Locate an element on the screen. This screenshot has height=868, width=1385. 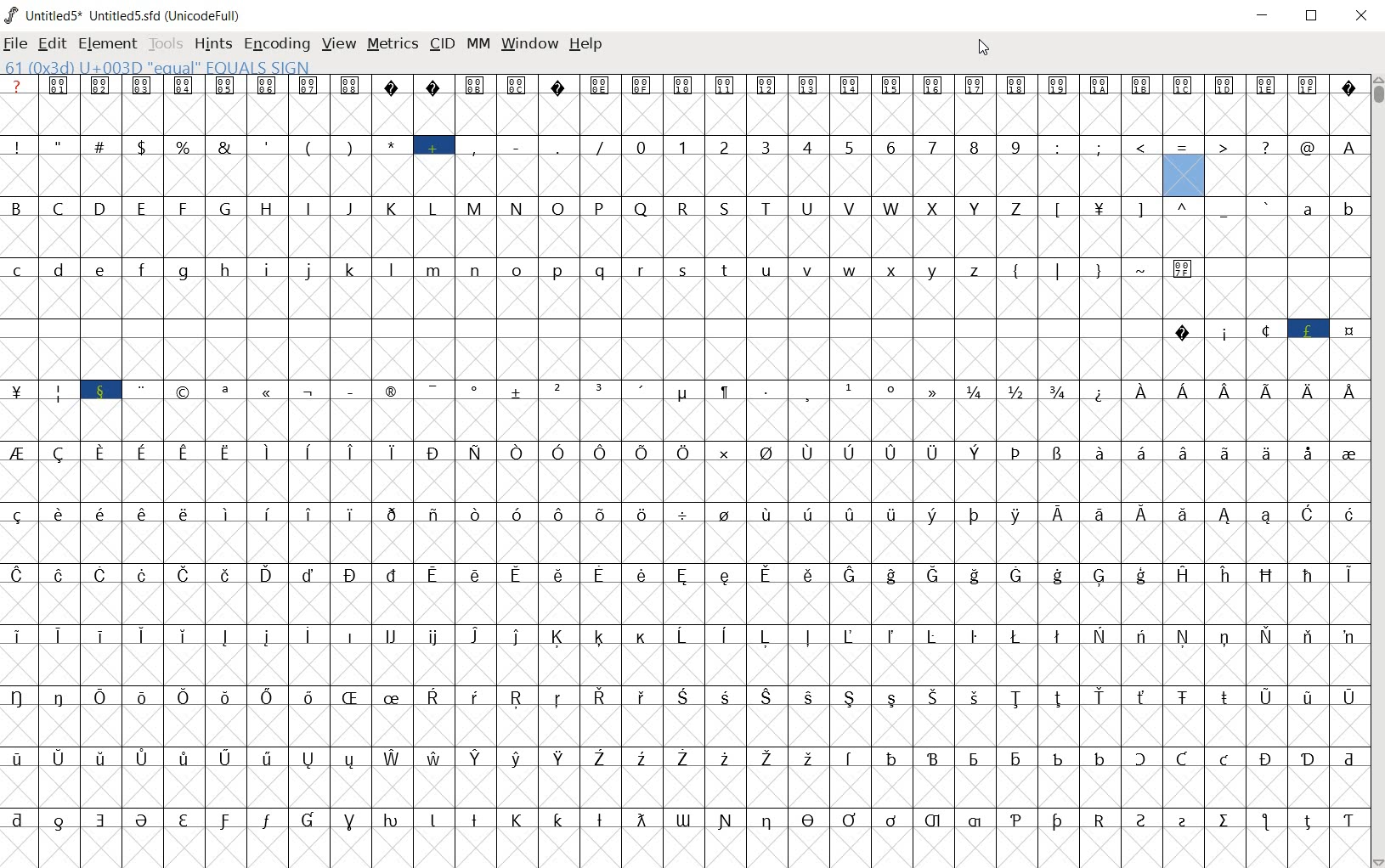
file is located at coordinates (14, 45).